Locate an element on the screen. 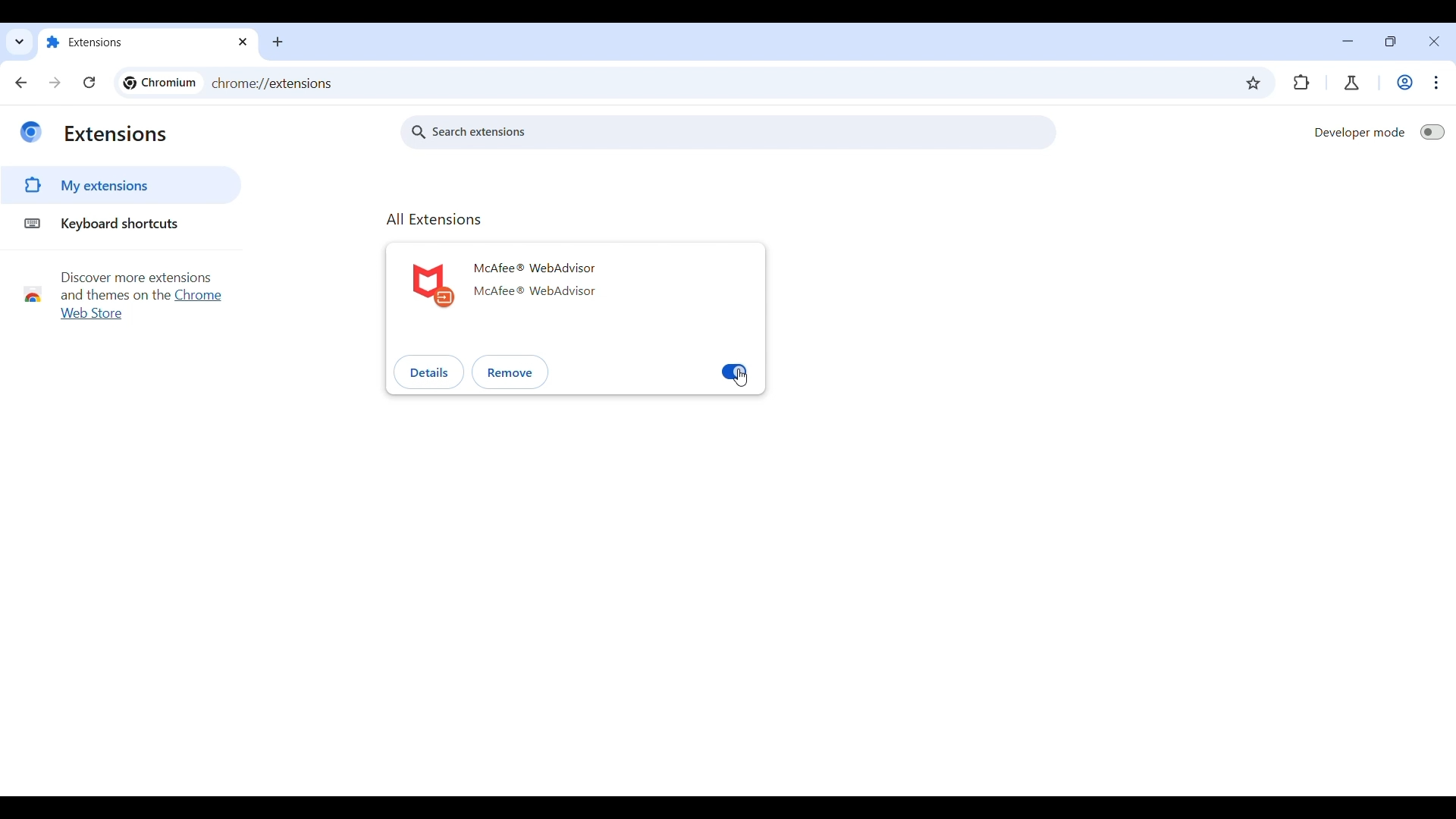 The height and width of the screenshot is (819, 1456). Extension active on browser after clicking on Toggle is located at coordinates (1301, 83).